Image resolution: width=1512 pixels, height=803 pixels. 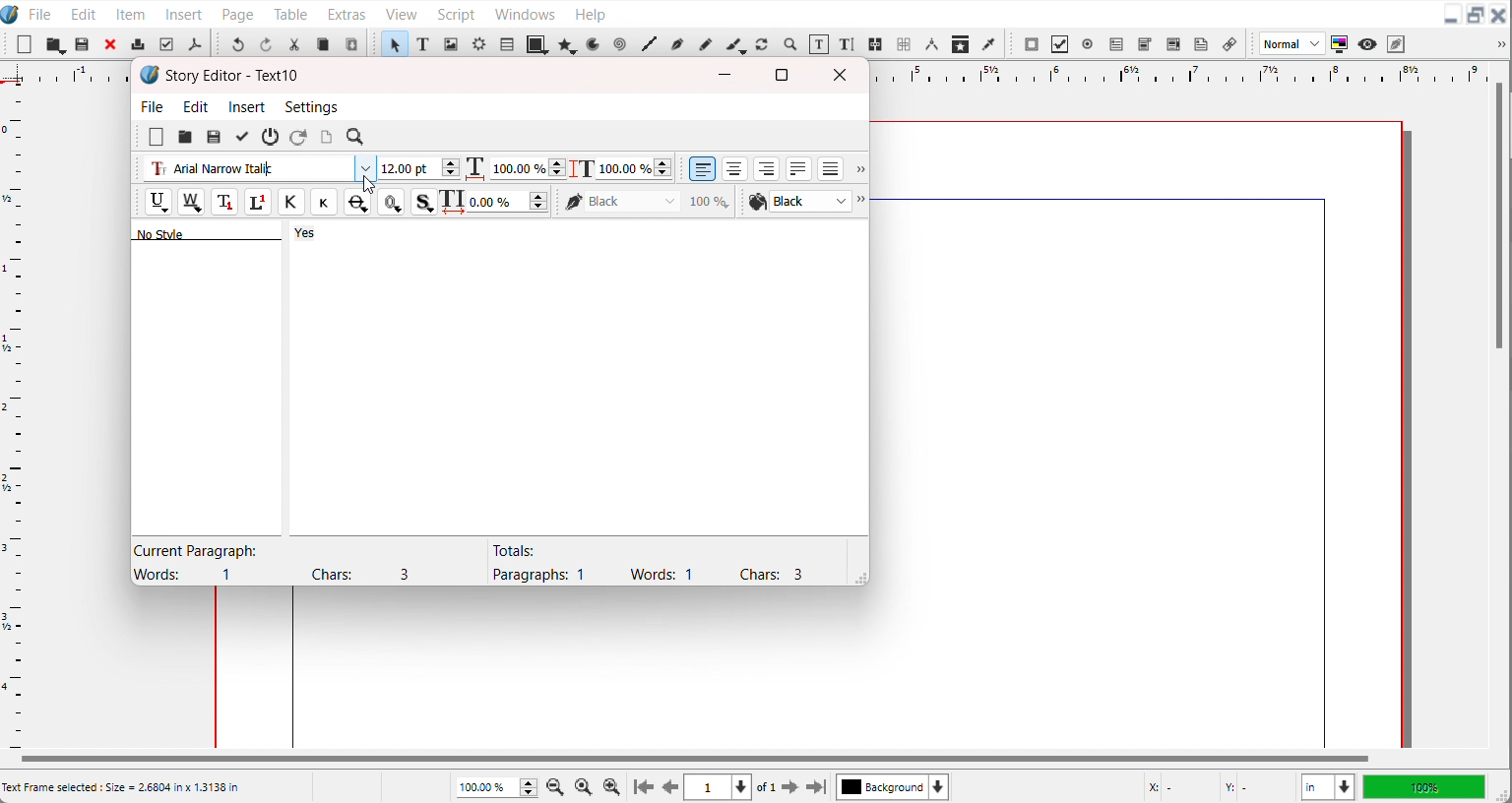 I want to click on Edit, so click(x=81, y=13).